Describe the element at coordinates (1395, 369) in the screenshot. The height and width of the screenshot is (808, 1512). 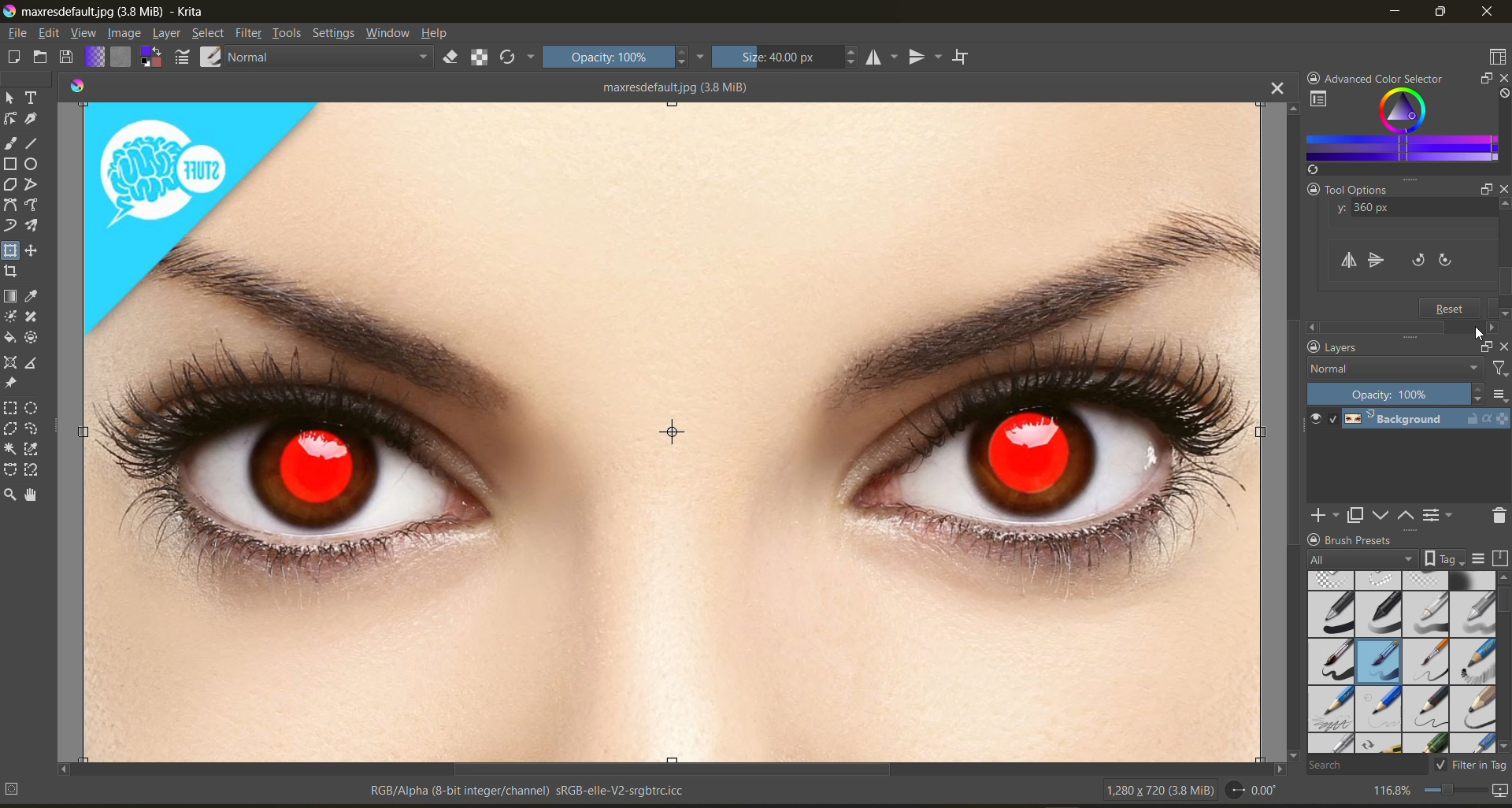
I see `normal` at that location.